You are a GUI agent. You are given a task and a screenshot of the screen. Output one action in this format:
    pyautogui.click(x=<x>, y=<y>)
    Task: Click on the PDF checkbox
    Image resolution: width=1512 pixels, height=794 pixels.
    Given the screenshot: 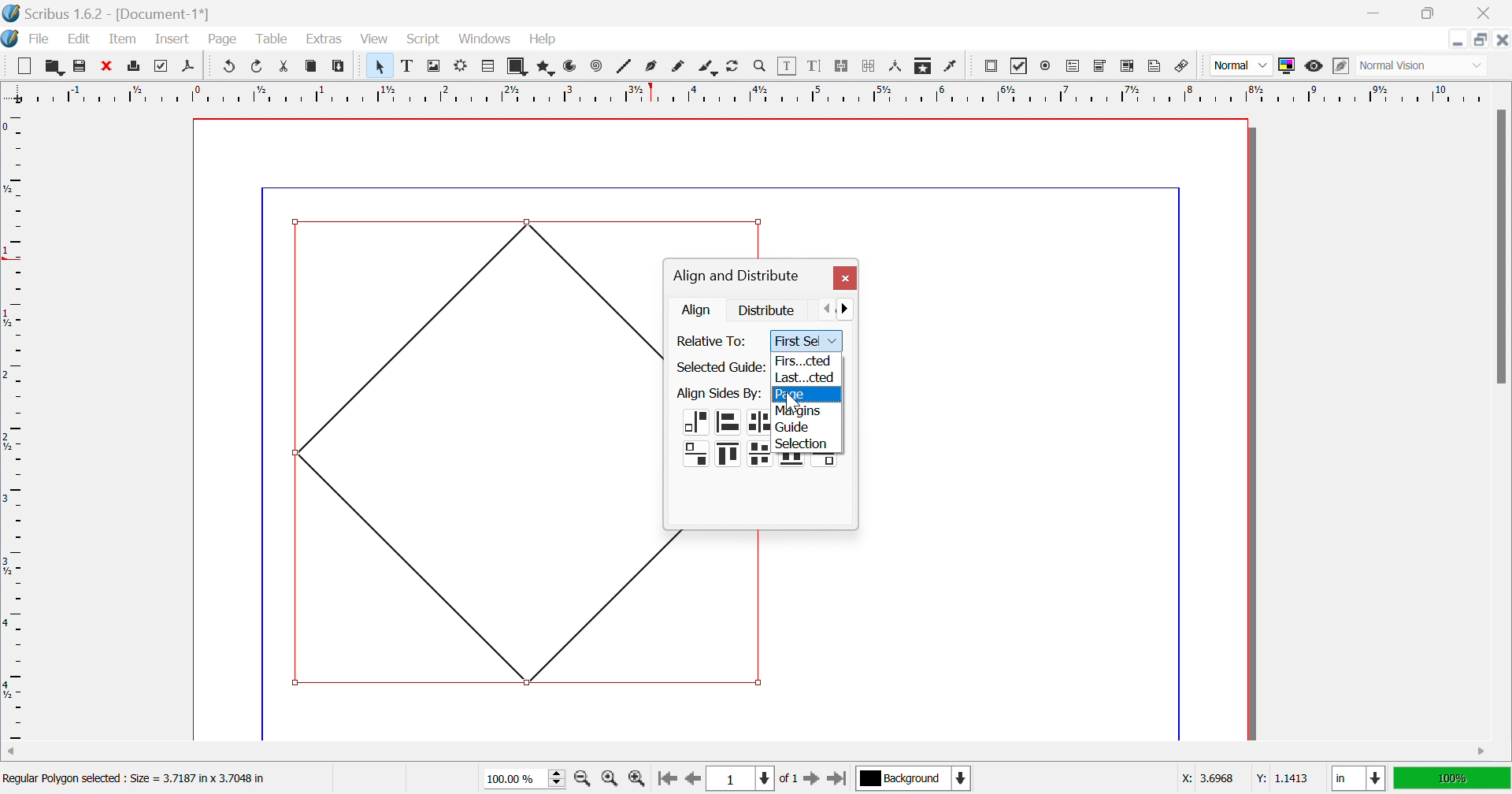 What is the action you would take?
    pyautogui.click(x=1019, y=66)
    